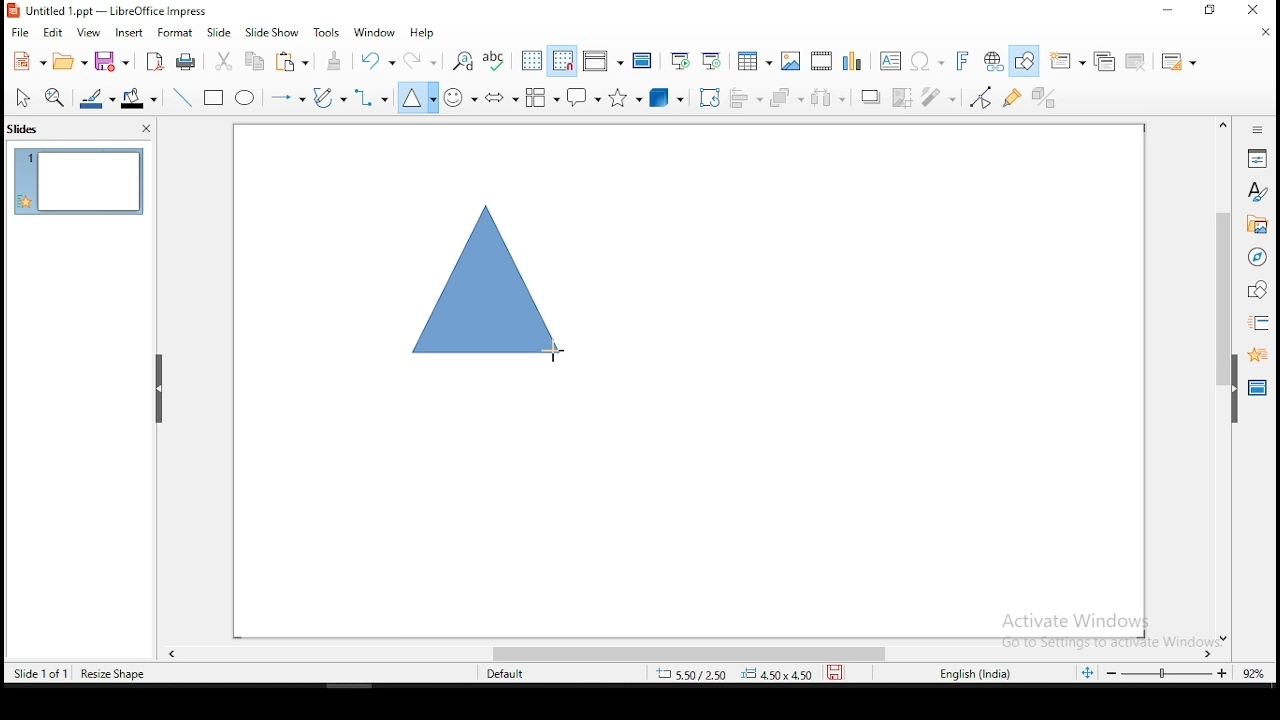 Image resolution: width=1280 pixels, height=720 pixels. I want to click on help, so click(427, 33).